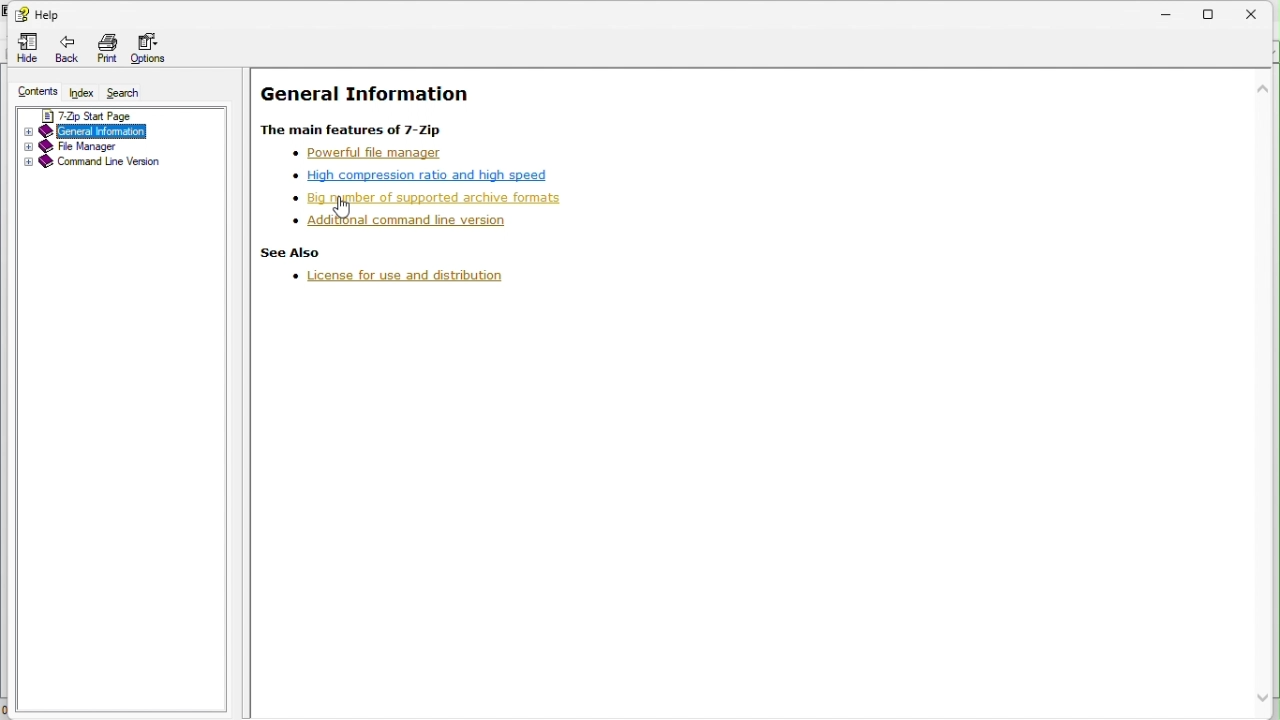 This screenshot has width=1280, height=720. Describe the element at coordinates (131, 92) in the screenshot. I see `Search search` at that location.